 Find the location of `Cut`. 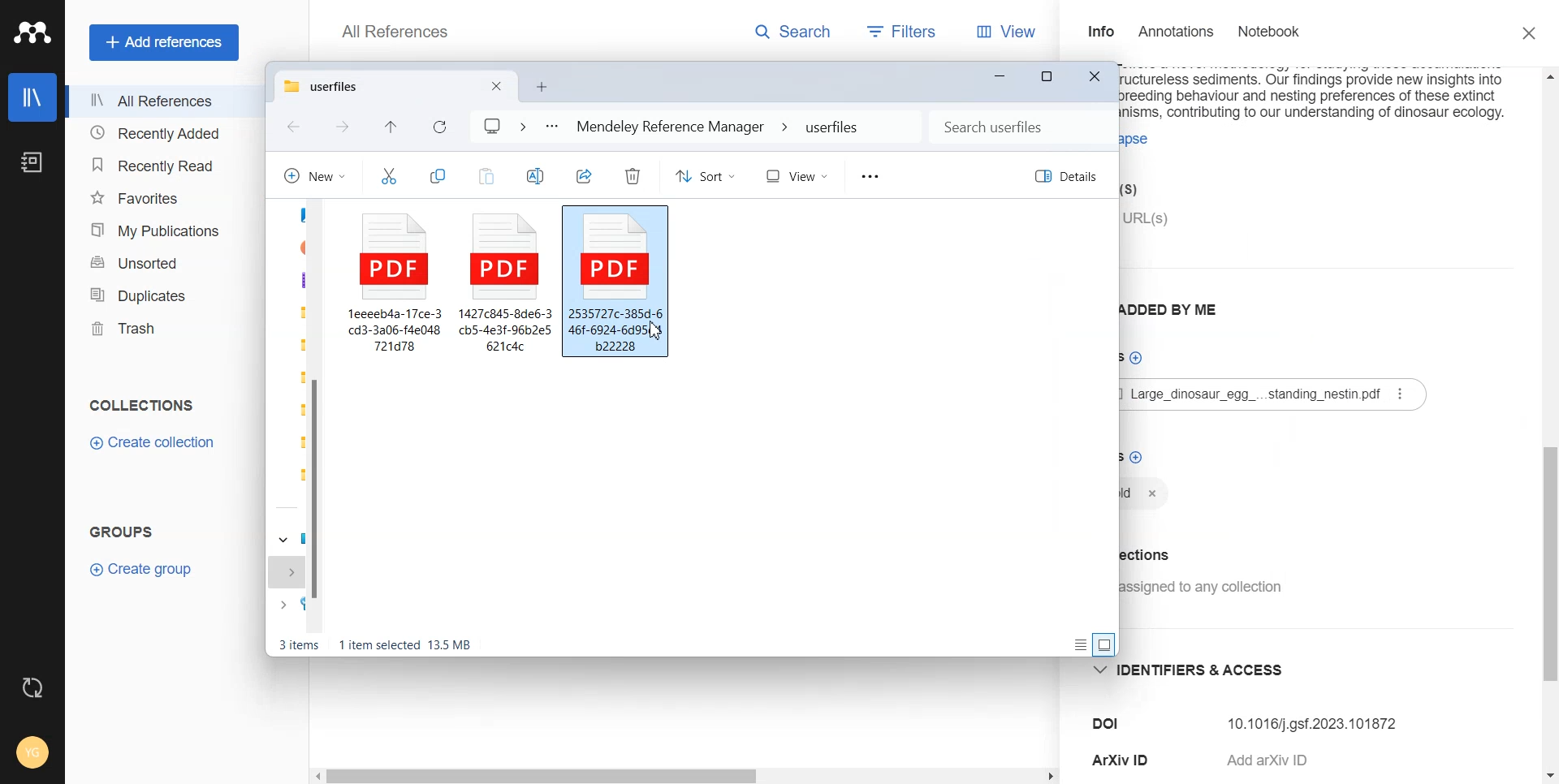

Cut is located at coordinates (389, 175).